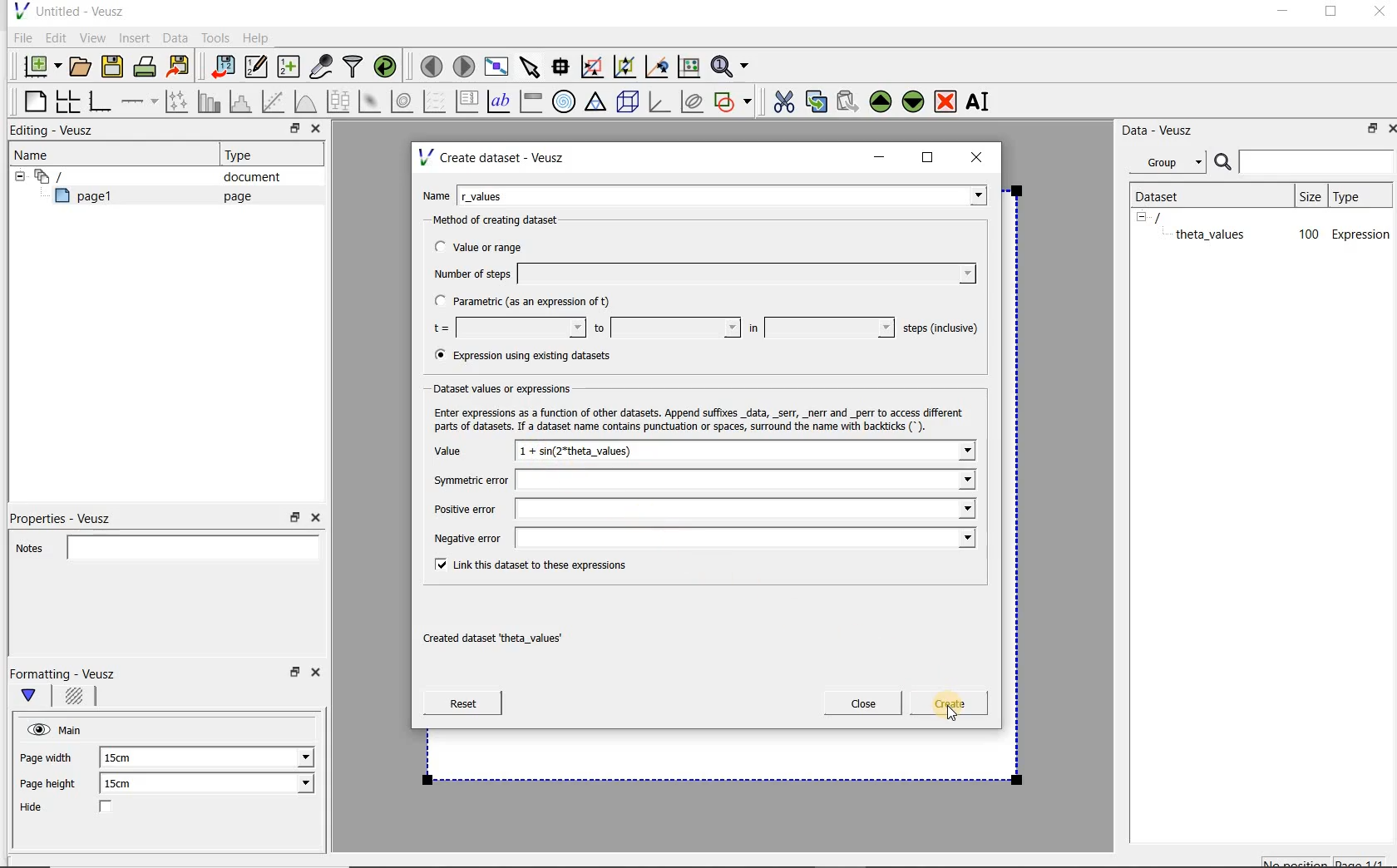 The image size is (1397, 868). What do you see at coordinates (1212, 234) in the screenshot?
I see `theta_values` at bounding box center [1212, 234].